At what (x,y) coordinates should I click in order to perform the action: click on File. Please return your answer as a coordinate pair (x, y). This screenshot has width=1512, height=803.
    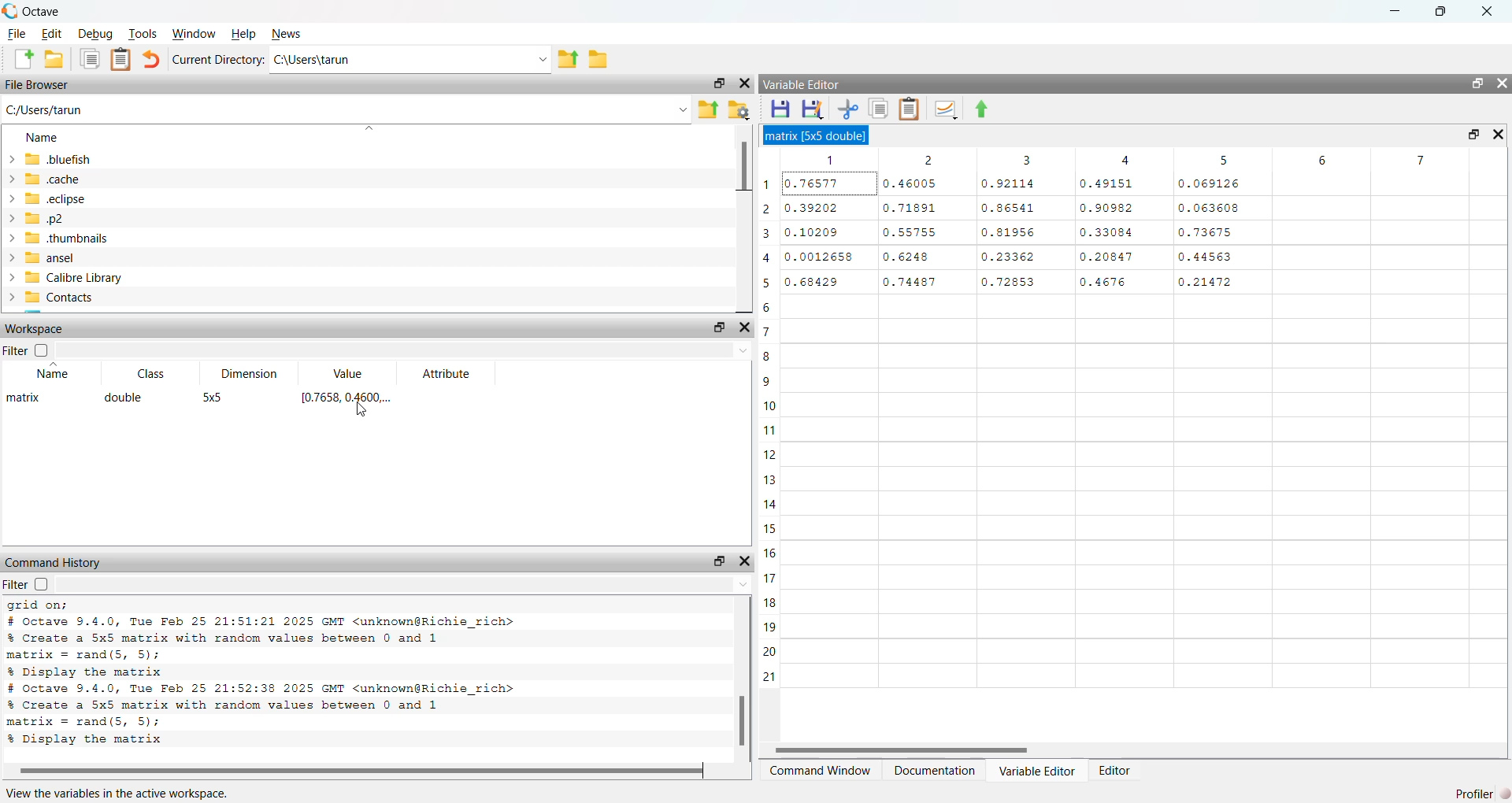
    Looking at the image, I should click on (17, 33).